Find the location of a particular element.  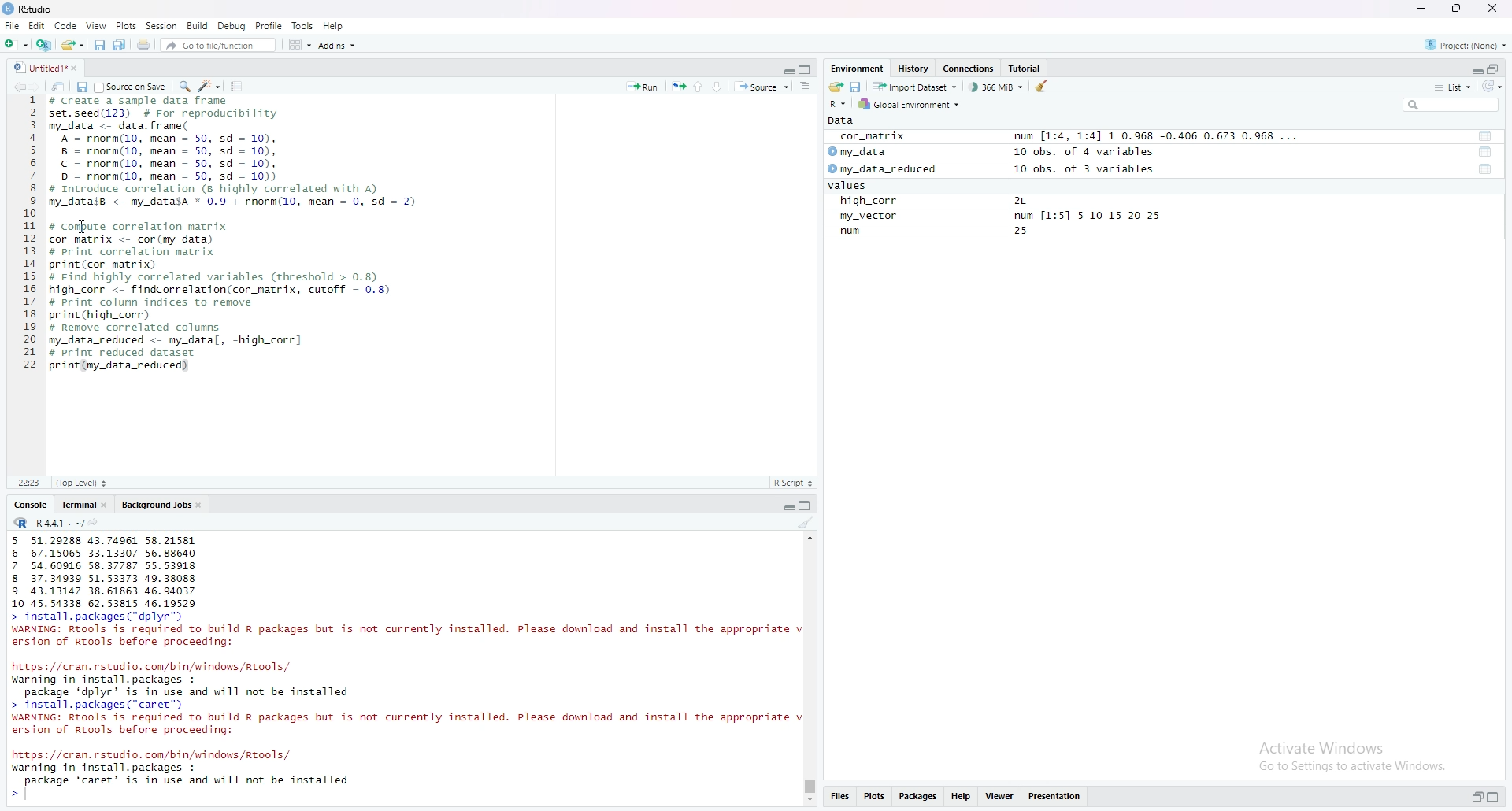

share is located at coordinates (144, 43).